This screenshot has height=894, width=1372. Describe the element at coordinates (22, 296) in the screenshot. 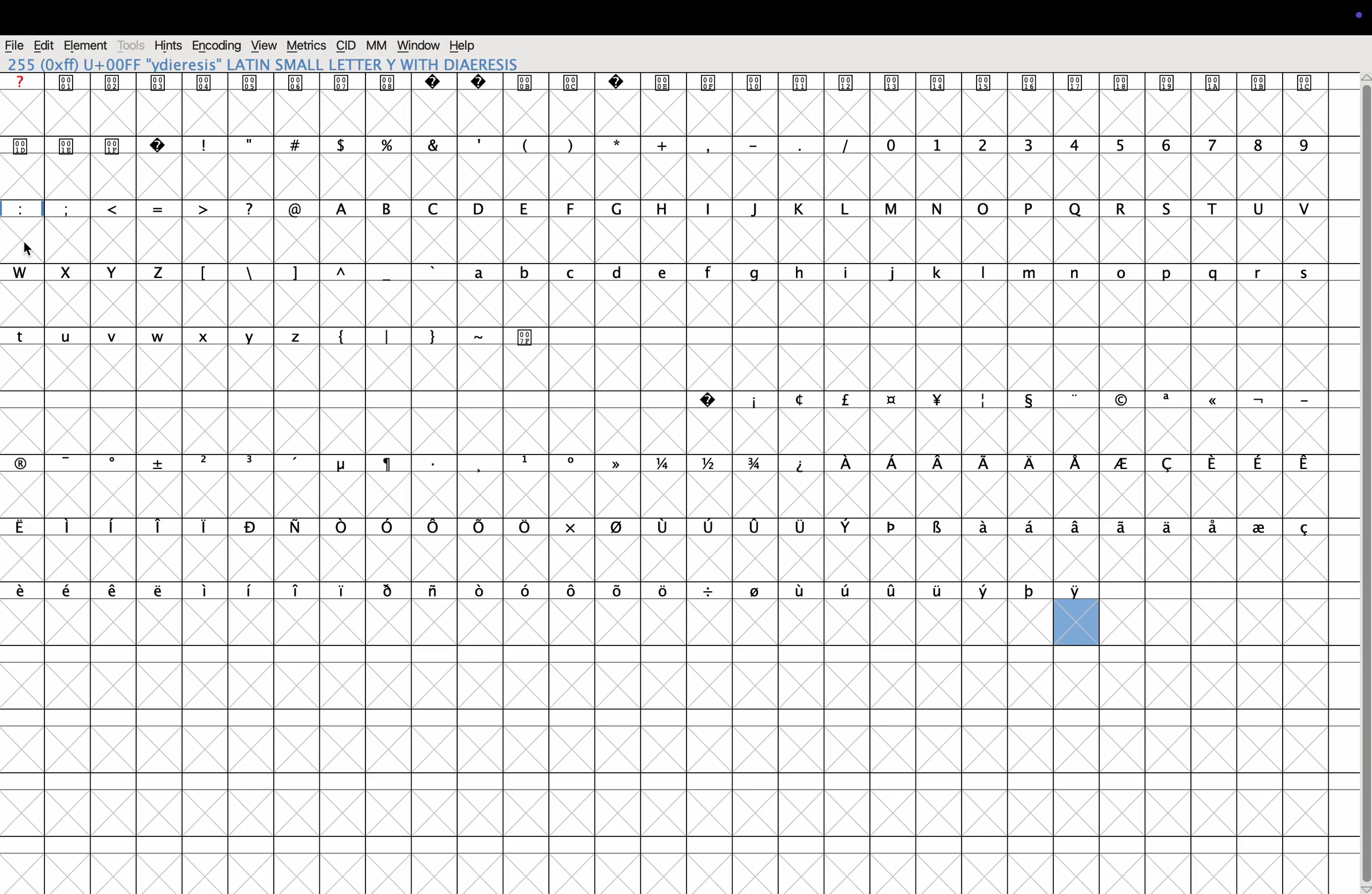

I see `w` at that location.